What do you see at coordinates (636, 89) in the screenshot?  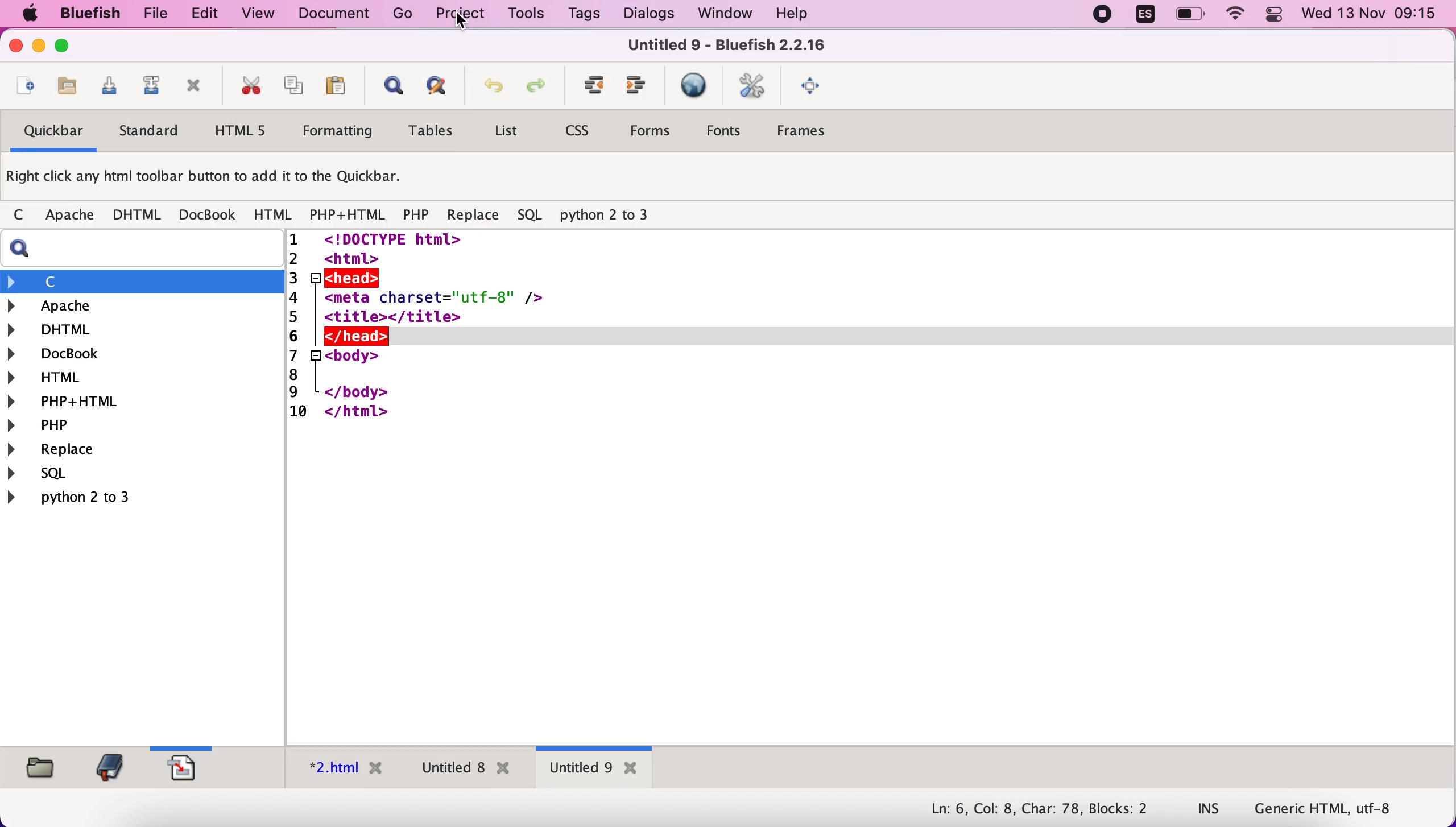 I see `indent` at bounding box center [636, 89].